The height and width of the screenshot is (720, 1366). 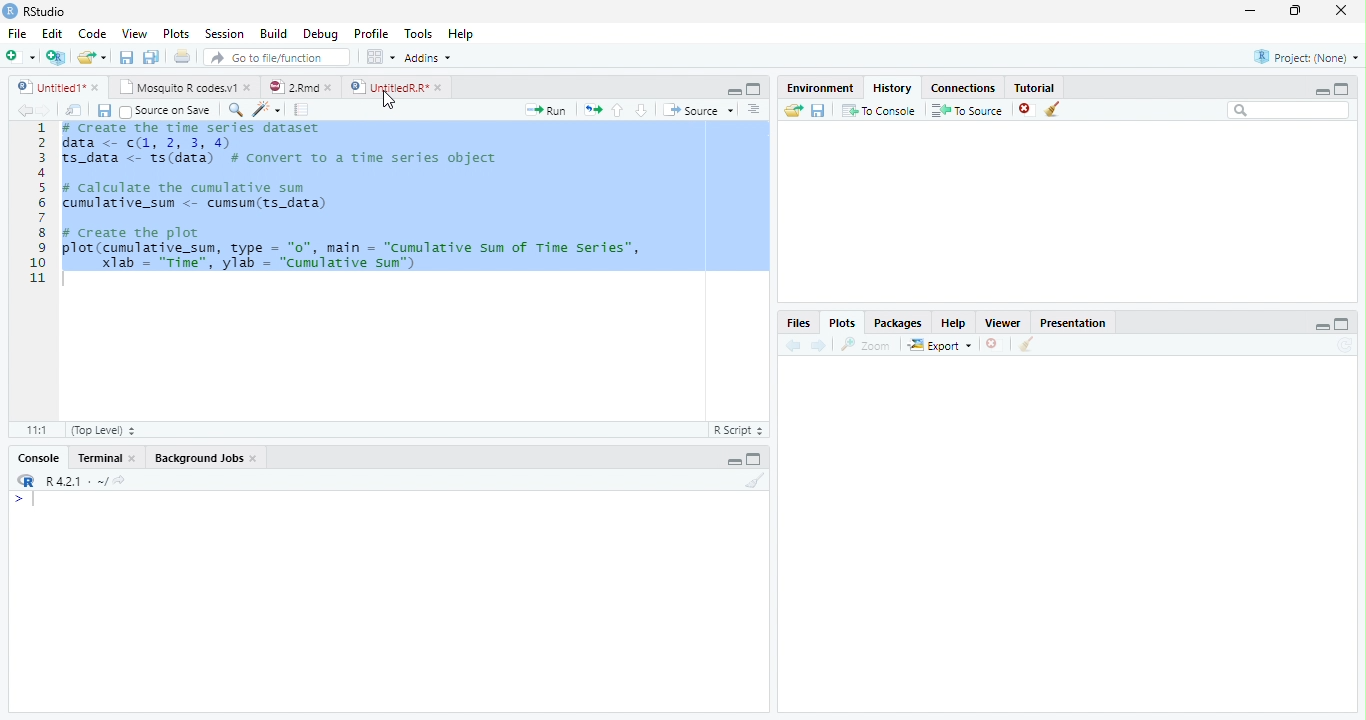 I want to click on 1:1, so click(x=33, y=429).